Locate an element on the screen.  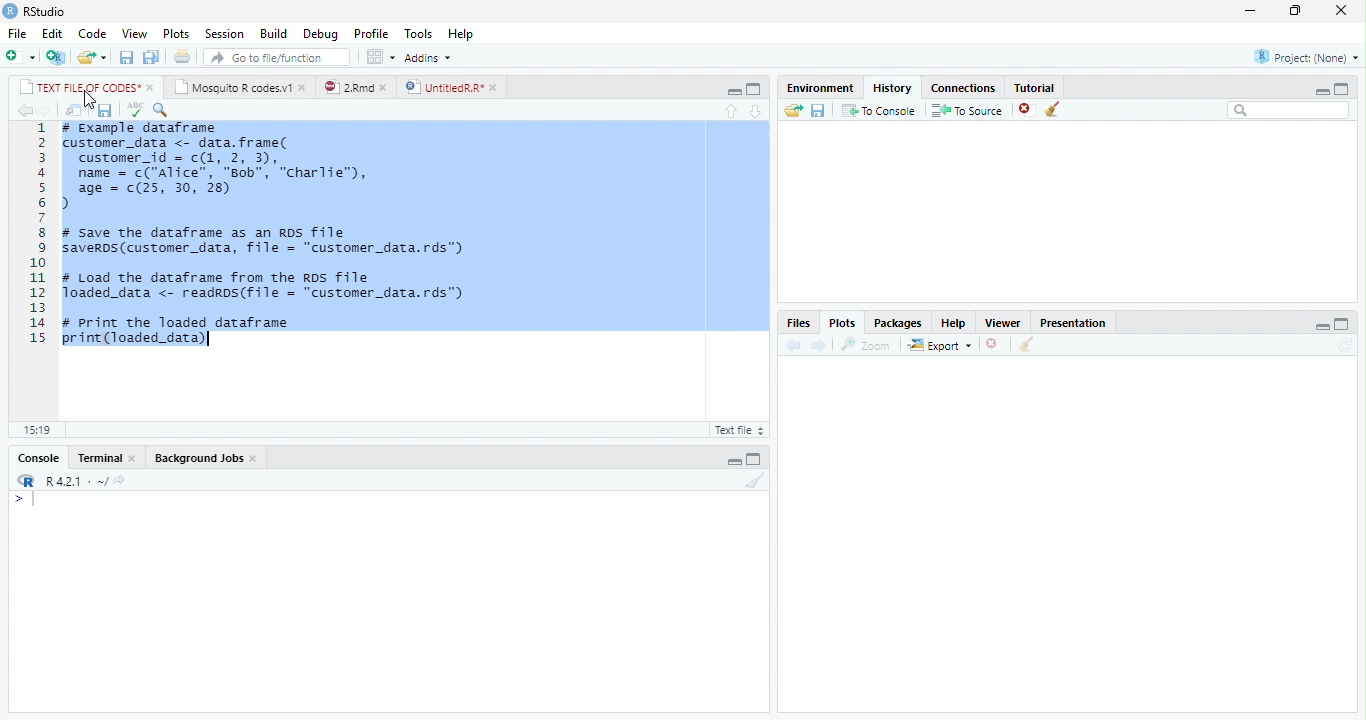
Export is located at coordinates (939, 345).